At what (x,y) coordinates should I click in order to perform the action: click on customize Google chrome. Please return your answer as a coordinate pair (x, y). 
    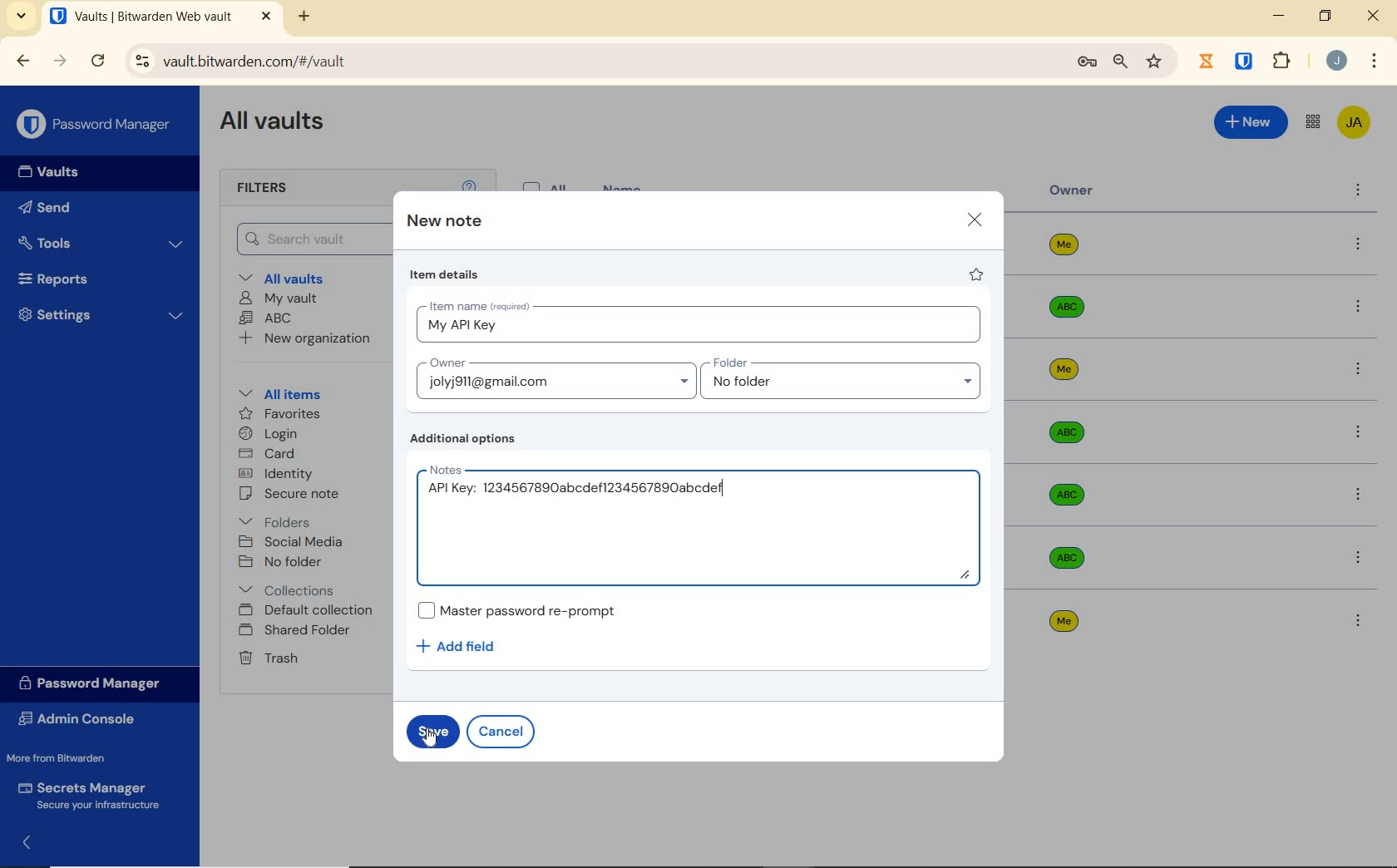
    Looking at the image, I should click on (1374, 62).